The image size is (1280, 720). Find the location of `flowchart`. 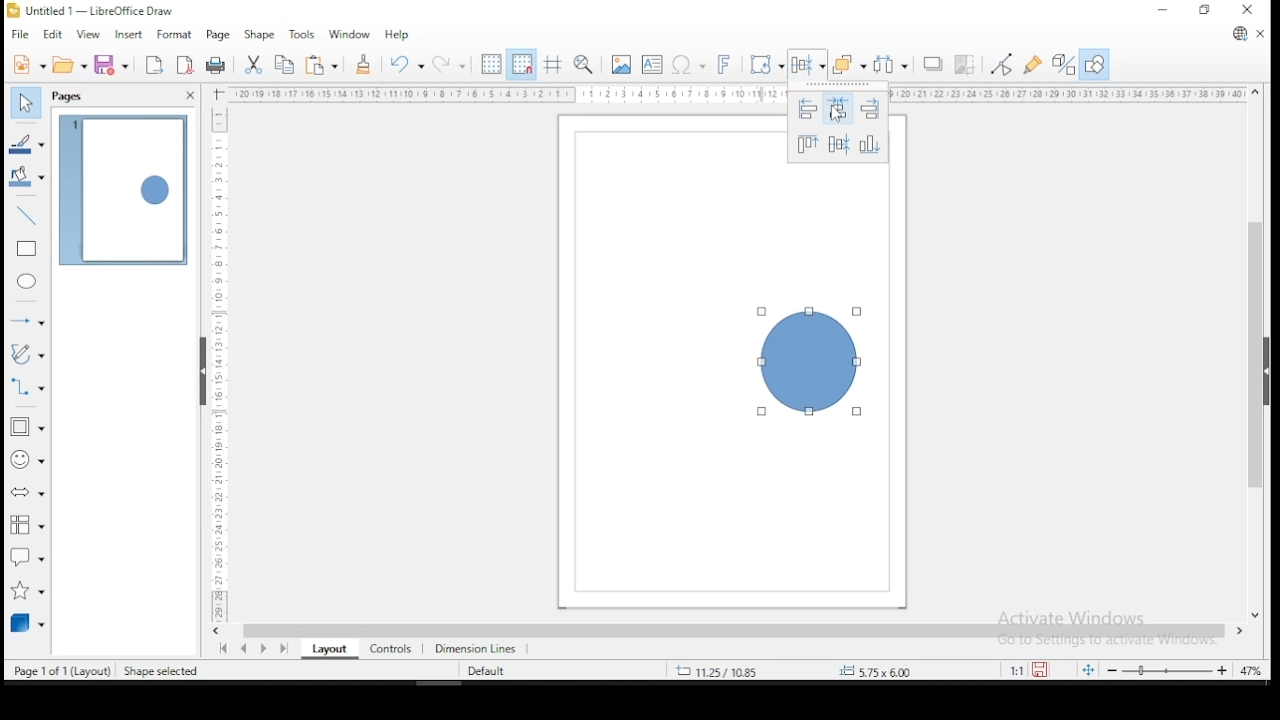

flowchart is located at coordinates (24, 525).